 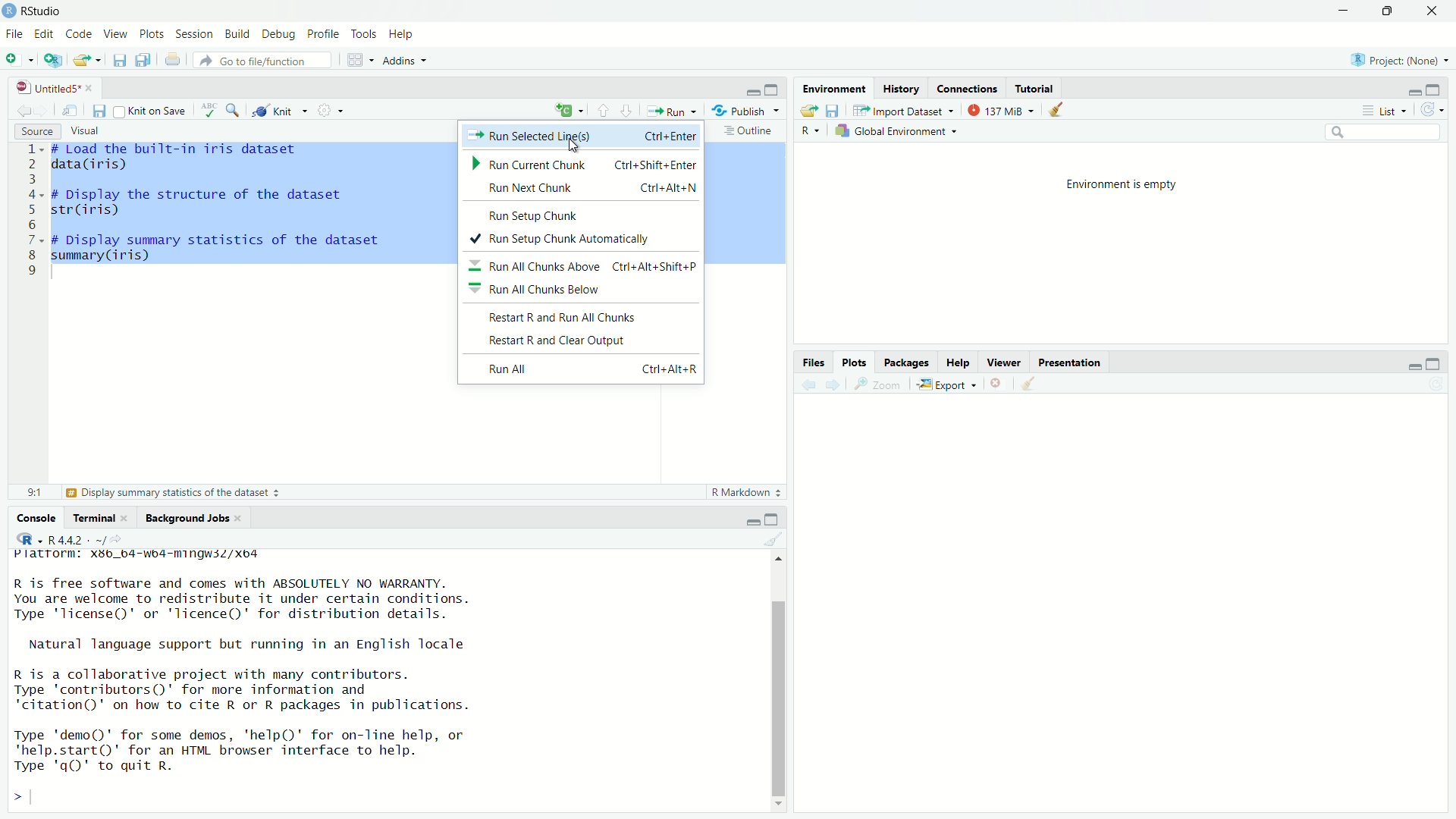 I want to click on R 4.4.2 - ~/, so click(x=71, y=538).